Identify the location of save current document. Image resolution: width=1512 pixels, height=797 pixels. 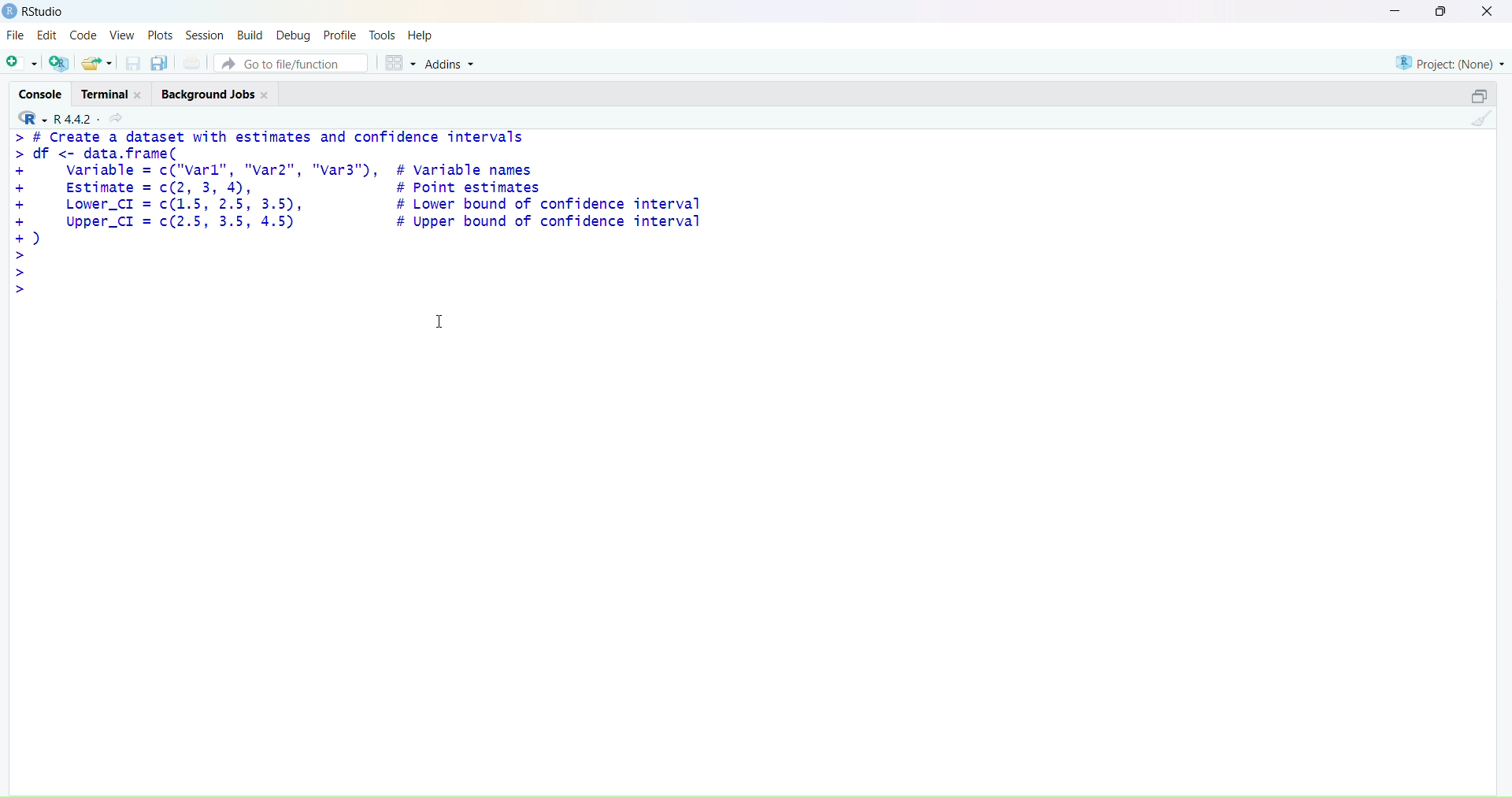
(132, 61).